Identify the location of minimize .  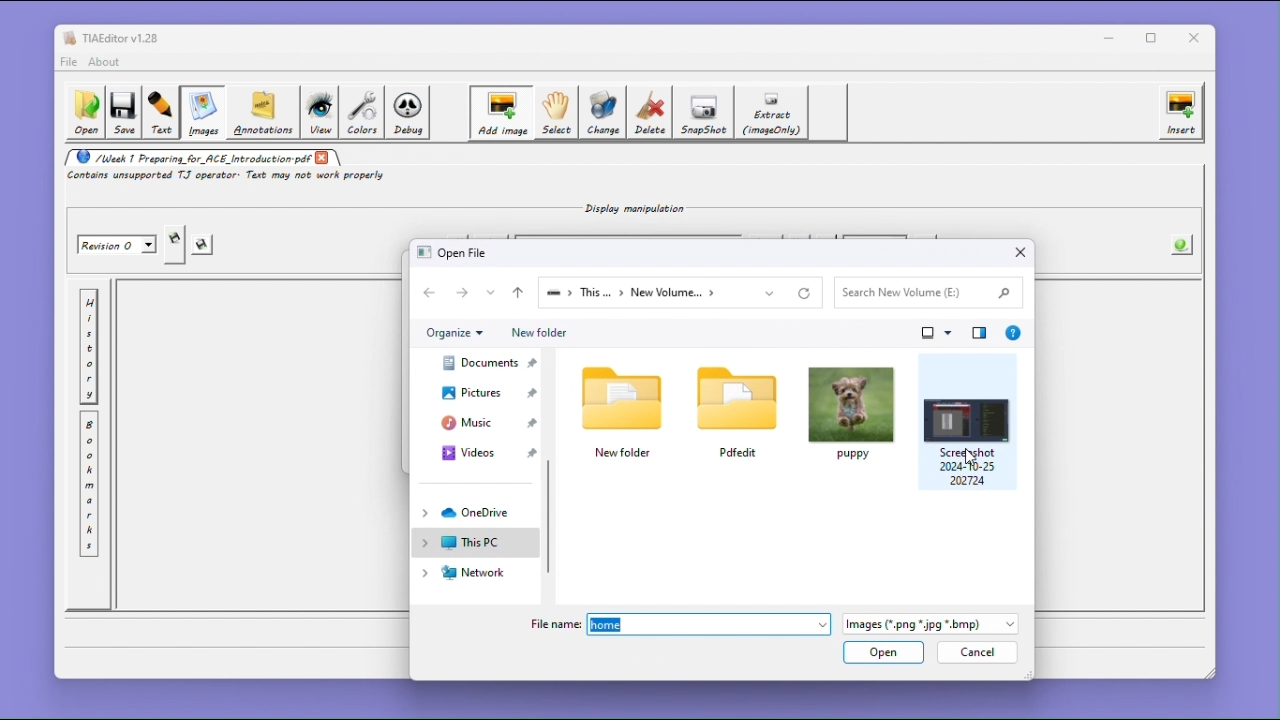
(1109, 37).